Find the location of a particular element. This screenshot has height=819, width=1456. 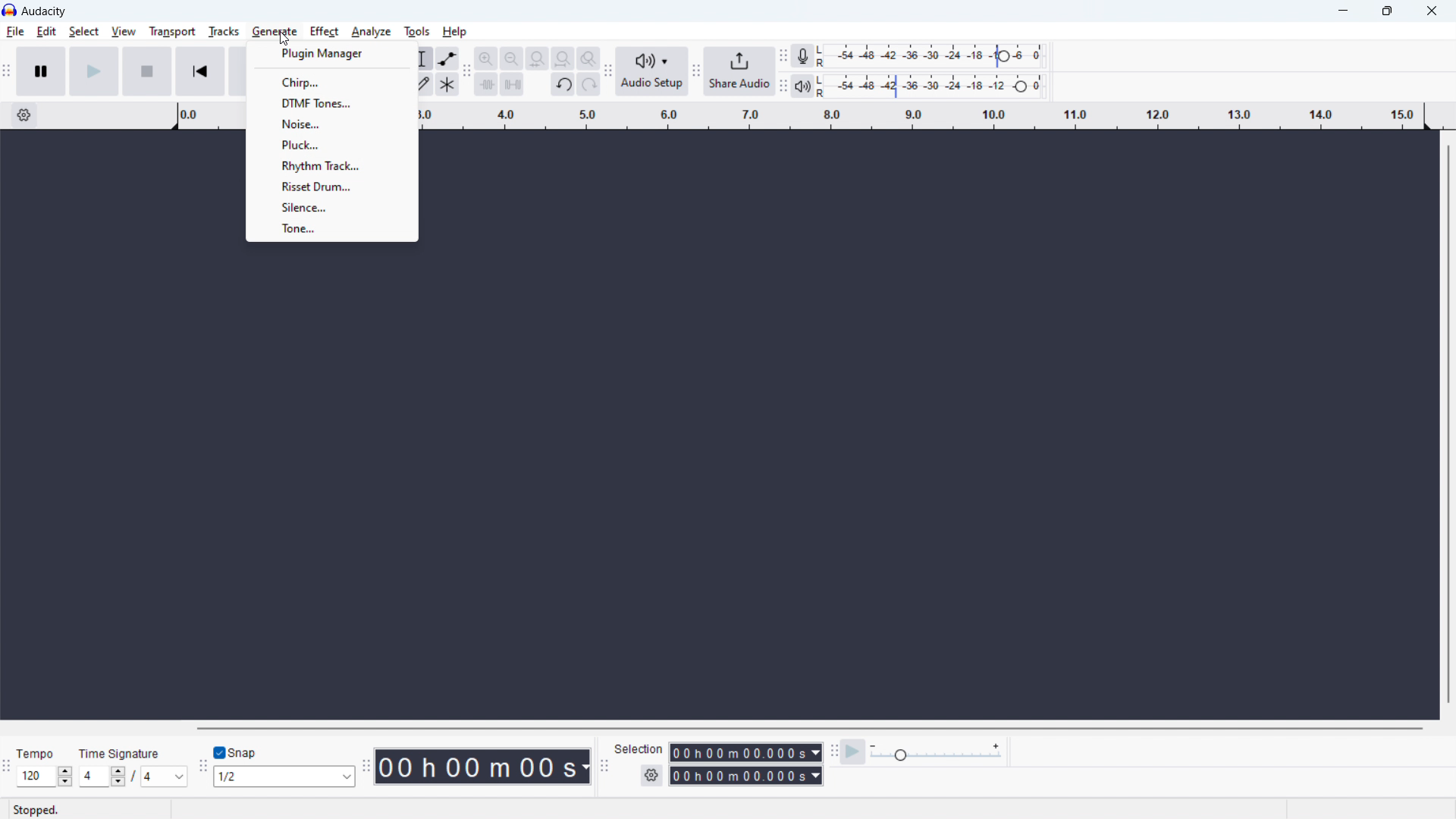

plugin manager... is located at coordinates (333, 55).